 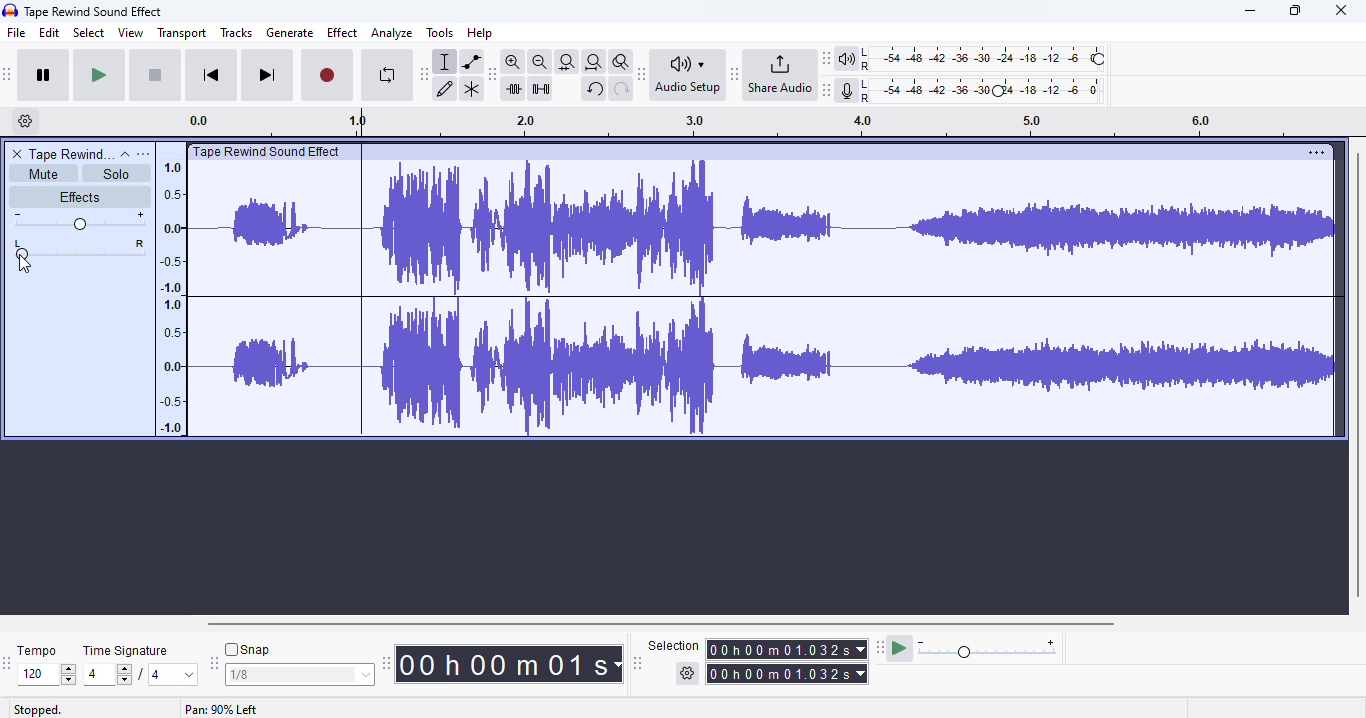 What do you see at coordinates (270, 151) in the screenshot?
I see `Track tile` at bounding box center [270, 151].